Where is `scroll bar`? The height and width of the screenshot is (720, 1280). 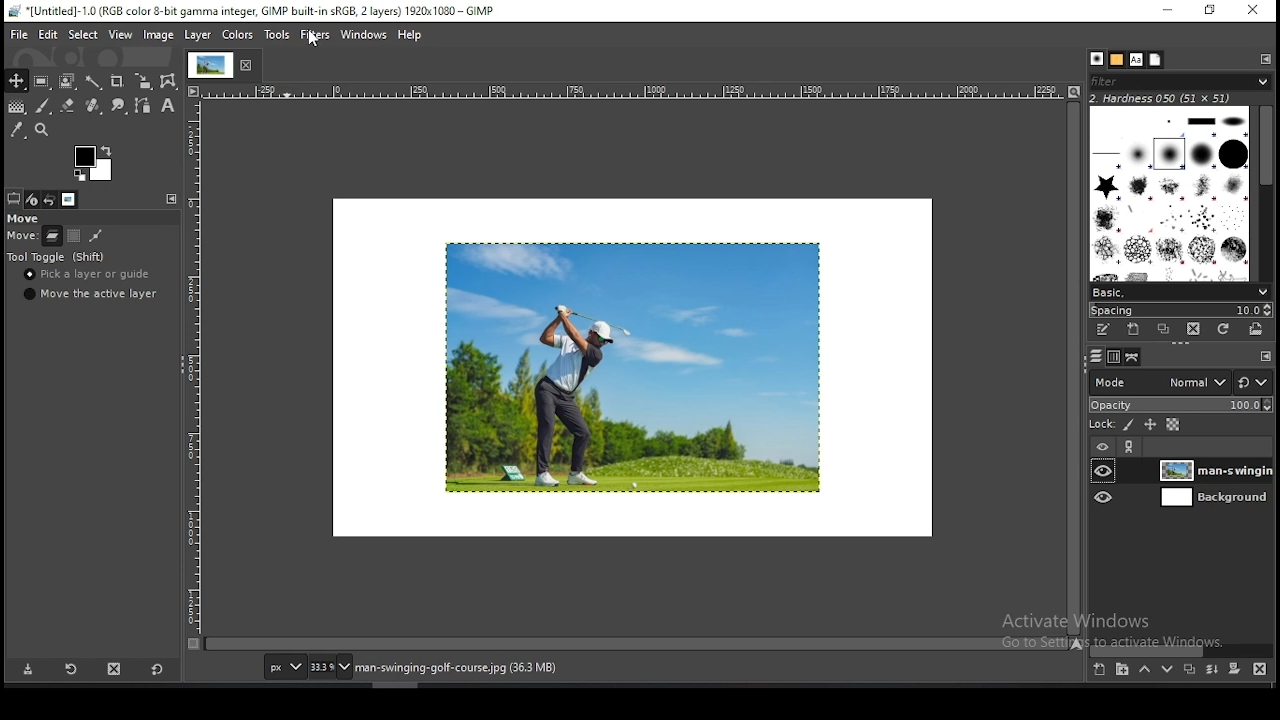
scroll bar is located at coordinates (637, 645).